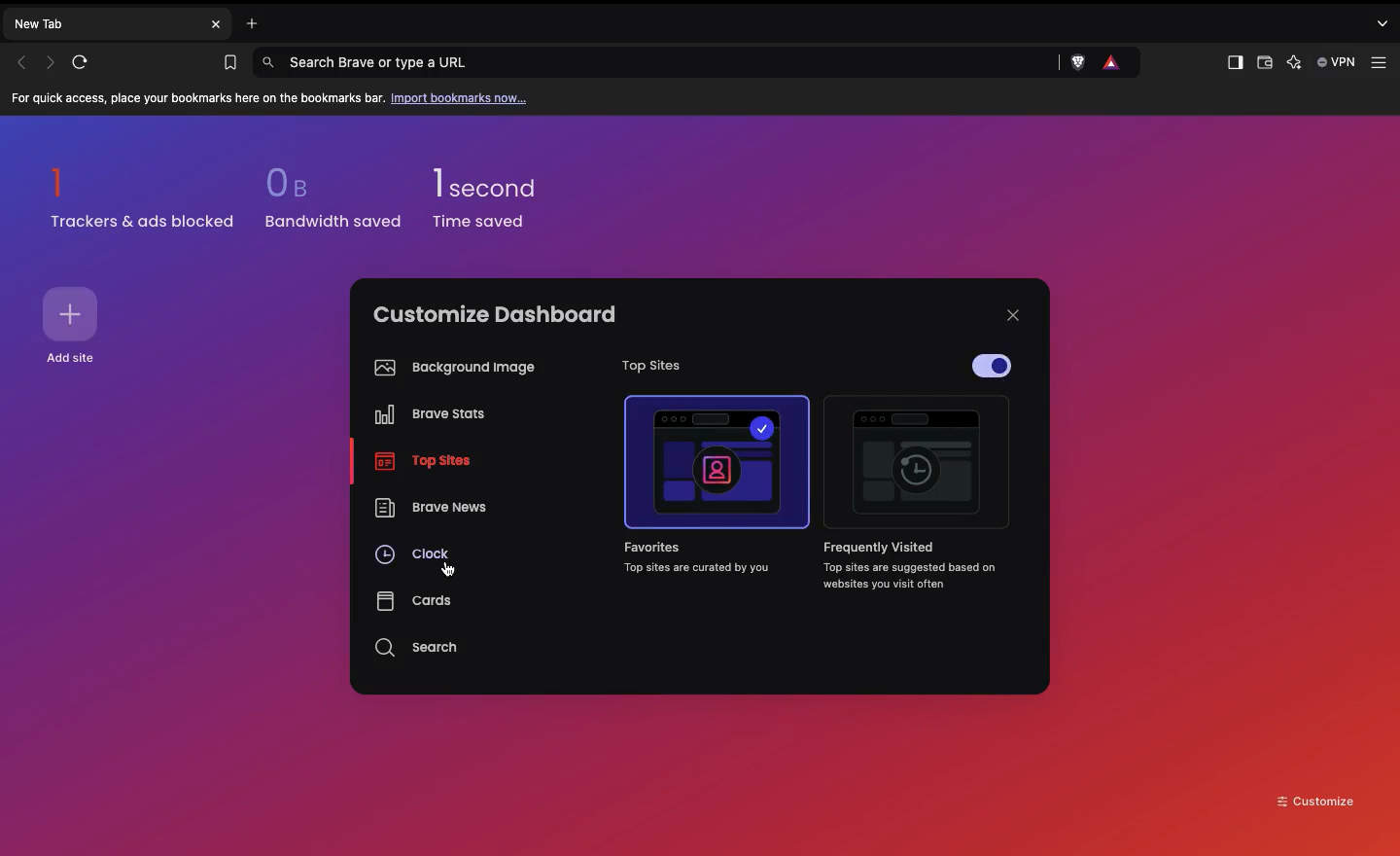  I want to click on Cards, so click(413, 600).